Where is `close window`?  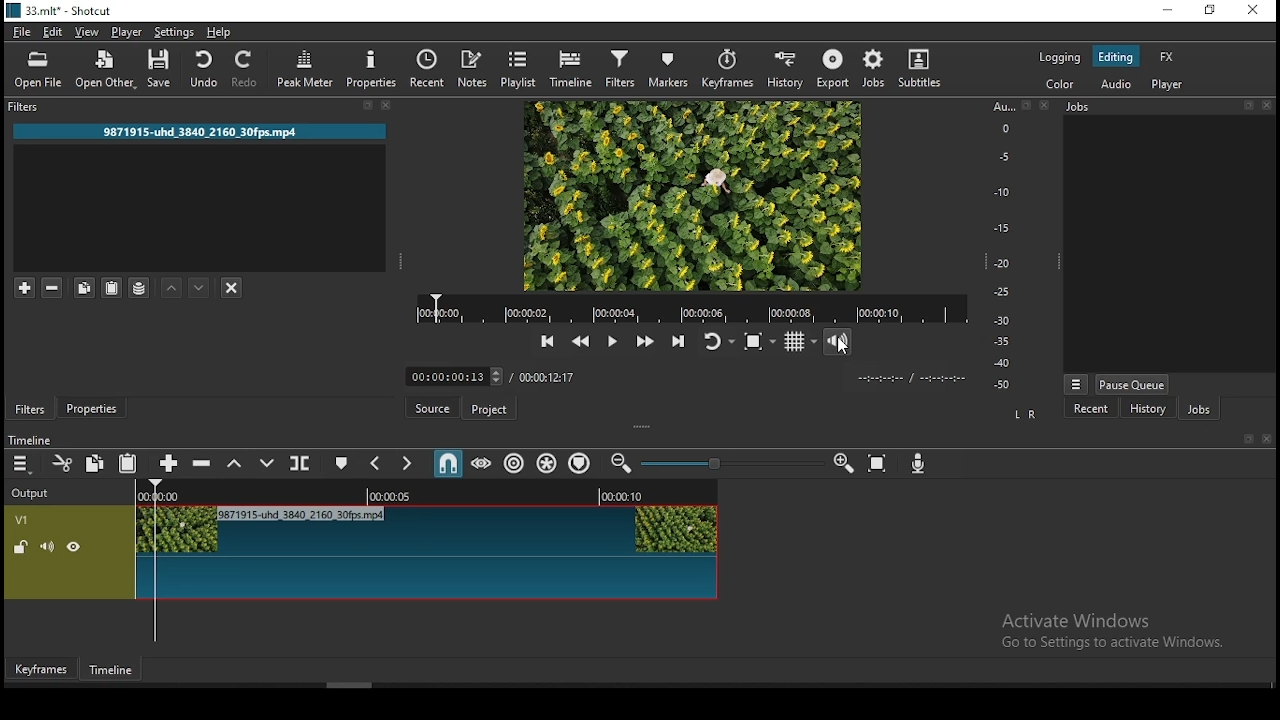
close window is located at coordinates (1255, 11).